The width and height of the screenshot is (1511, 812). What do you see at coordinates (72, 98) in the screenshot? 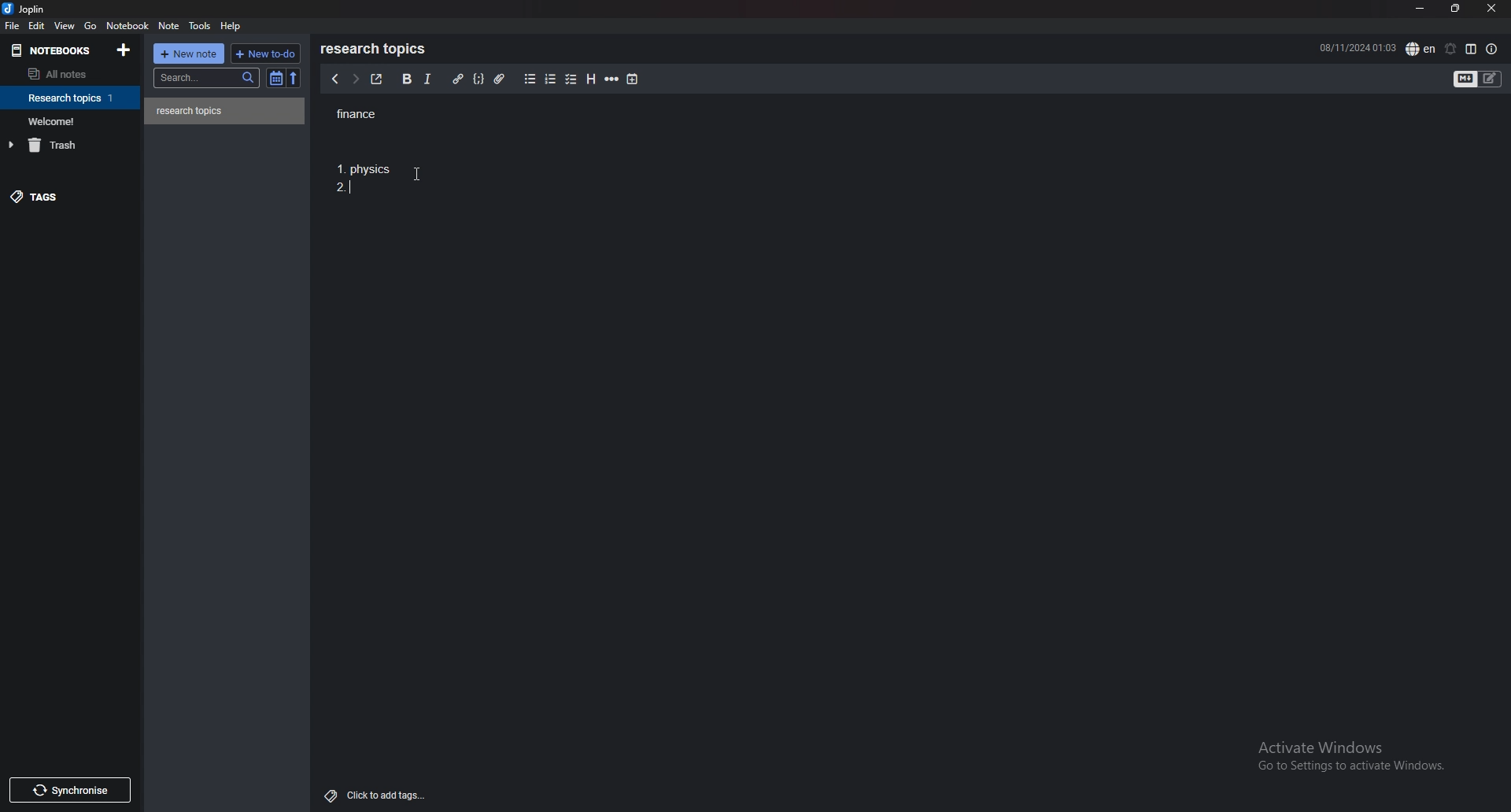
I see `notebook` at bounding box center [72, 98].